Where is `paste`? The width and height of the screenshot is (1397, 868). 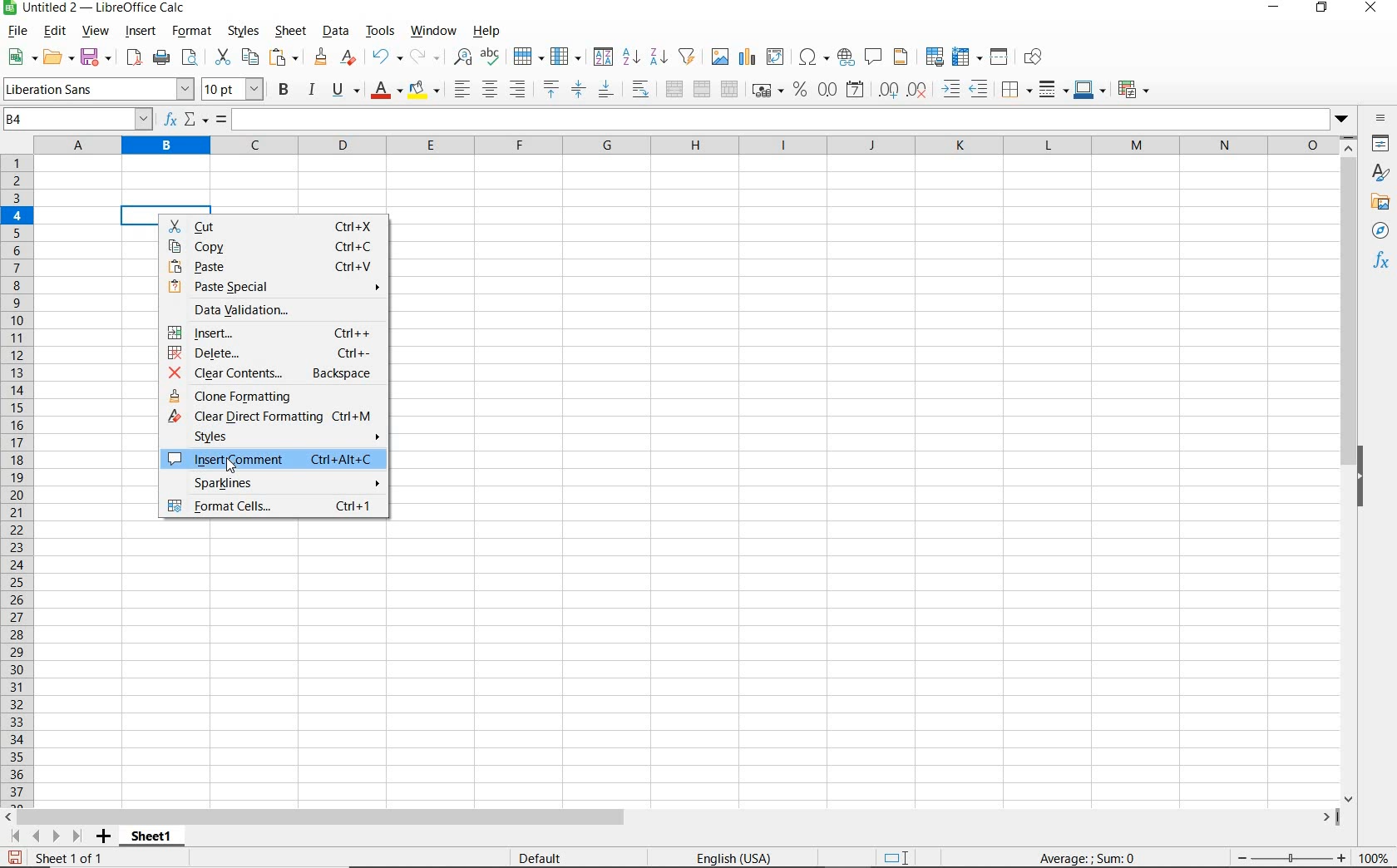
paste is located at coordinates (284, 58).